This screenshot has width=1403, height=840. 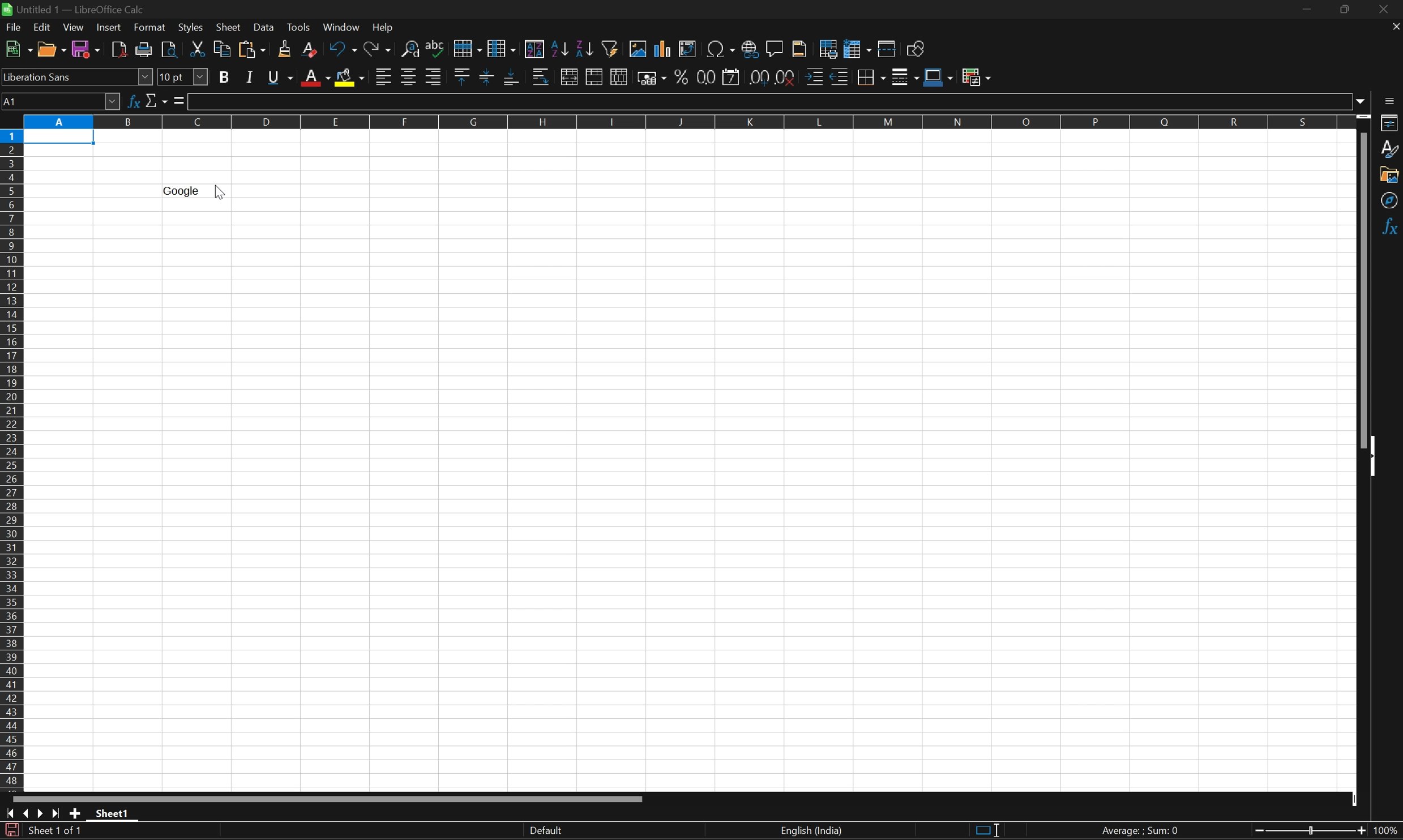 I want to click on Copy, so click(x=220, y=48).